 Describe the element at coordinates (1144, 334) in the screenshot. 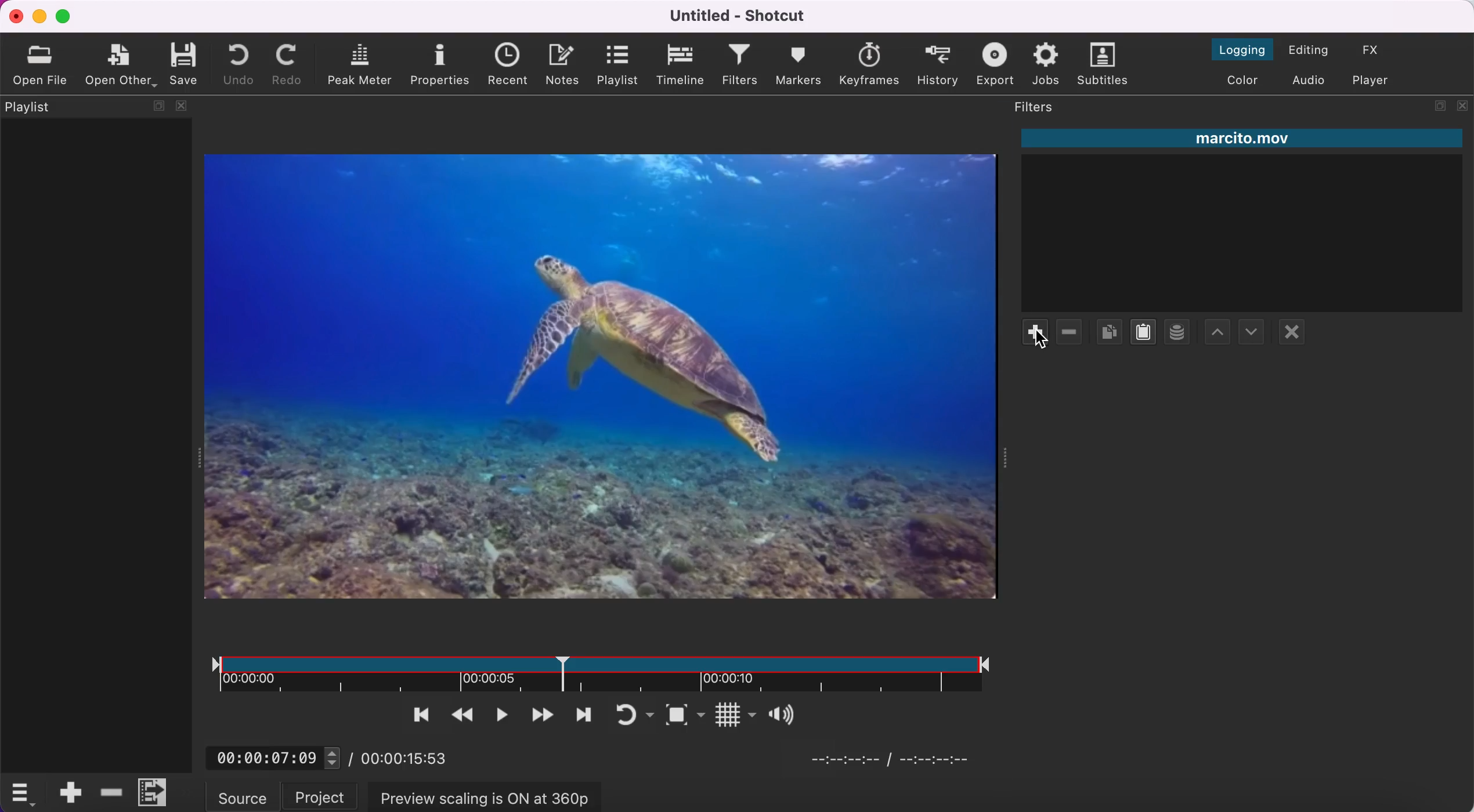

I see `paste filters` at that location.